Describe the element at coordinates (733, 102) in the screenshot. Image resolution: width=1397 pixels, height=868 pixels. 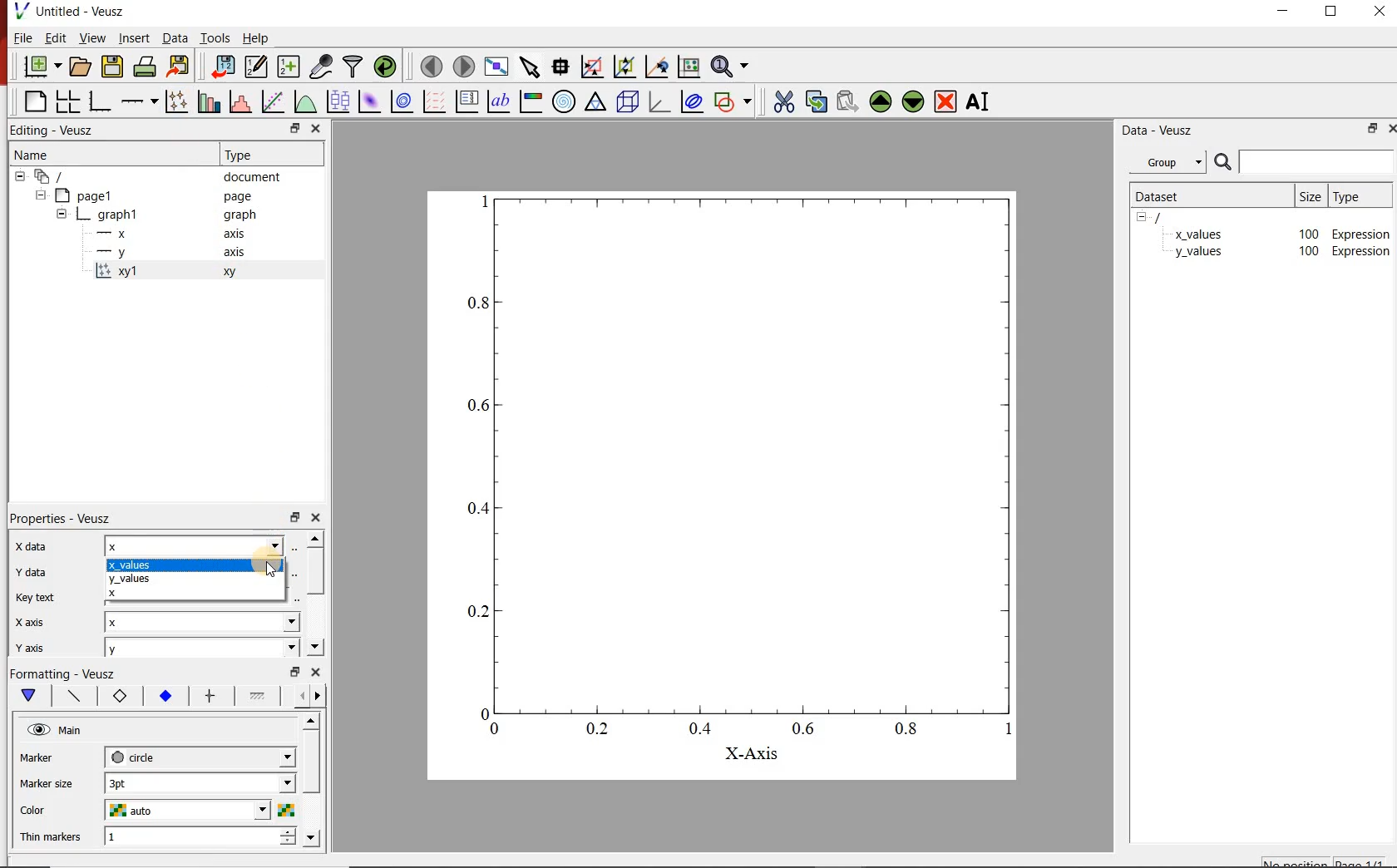
I see `add shape` at that location.